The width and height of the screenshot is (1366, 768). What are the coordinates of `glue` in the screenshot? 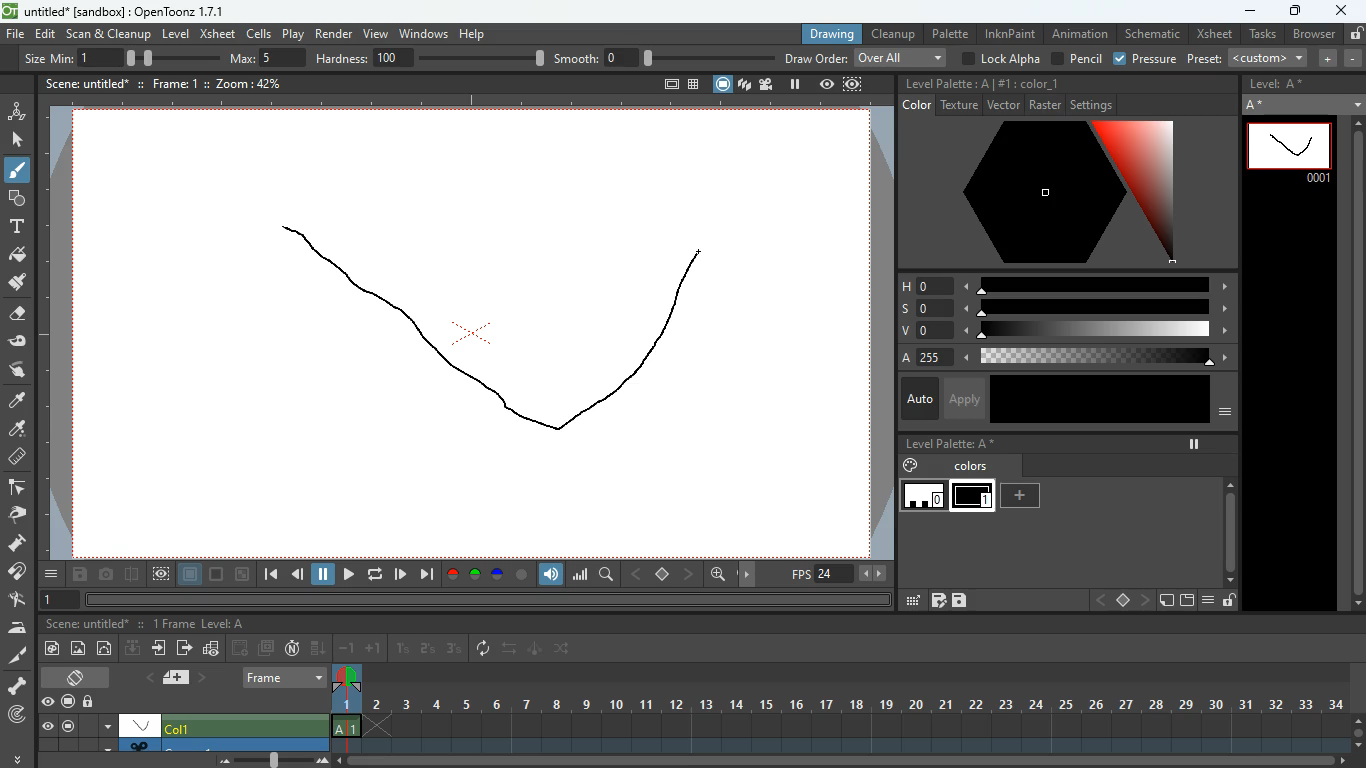 It's located at (18, 342).